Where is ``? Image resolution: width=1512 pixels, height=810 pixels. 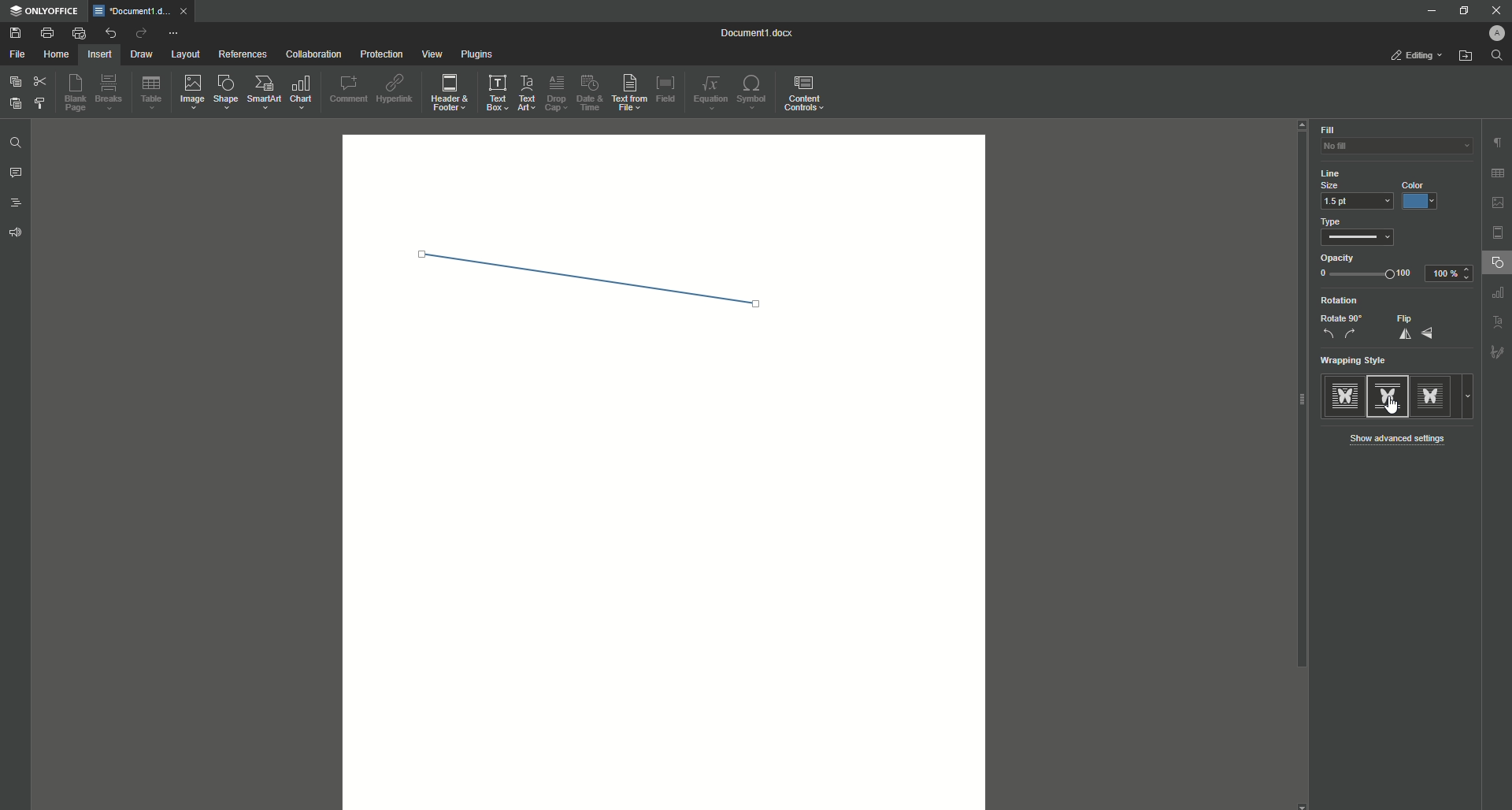
 is located at coordinates (1497, 354).